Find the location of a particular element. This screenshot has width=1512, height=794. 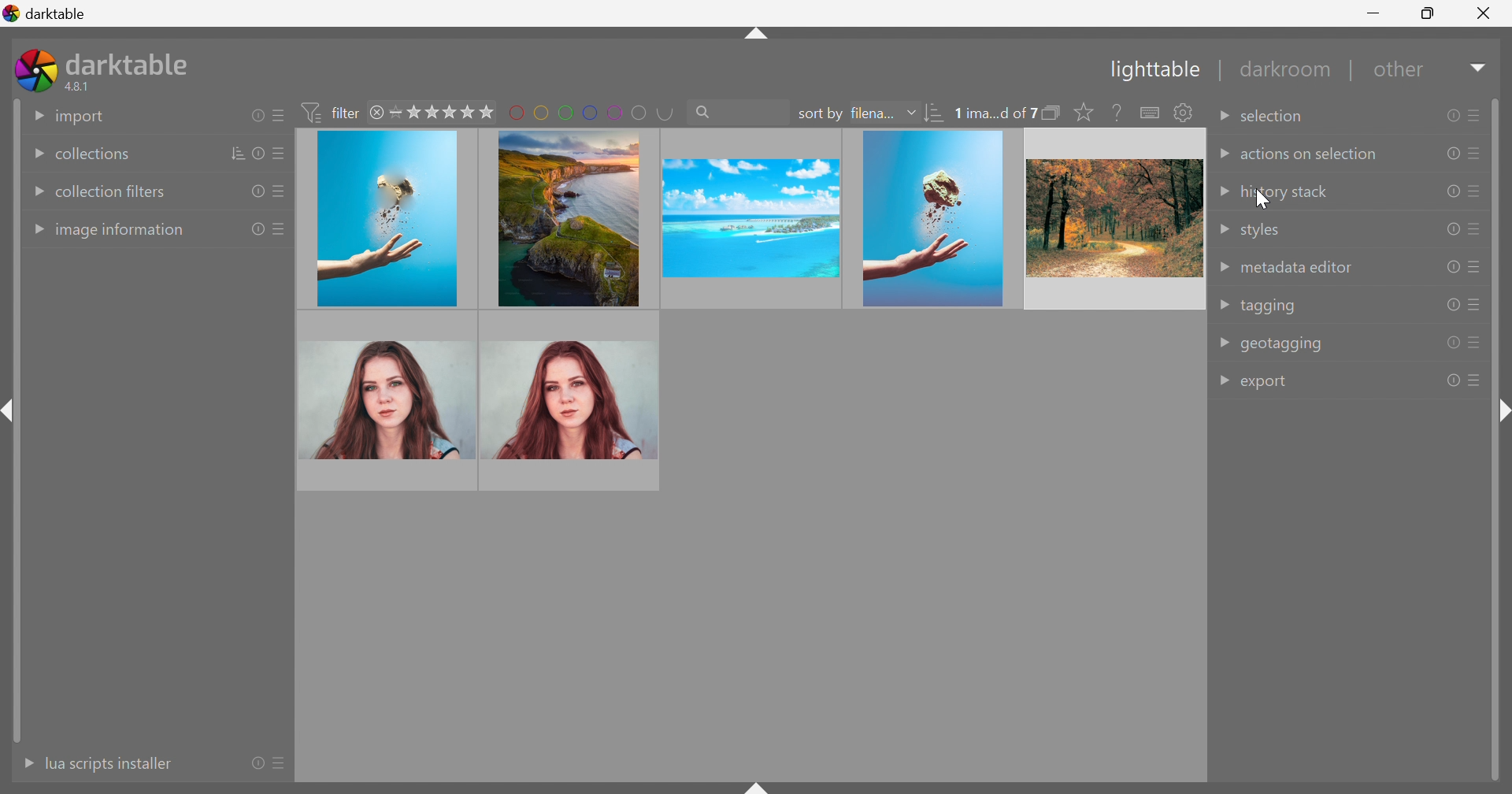

filter by images color label is located at coordinates (591, 111).